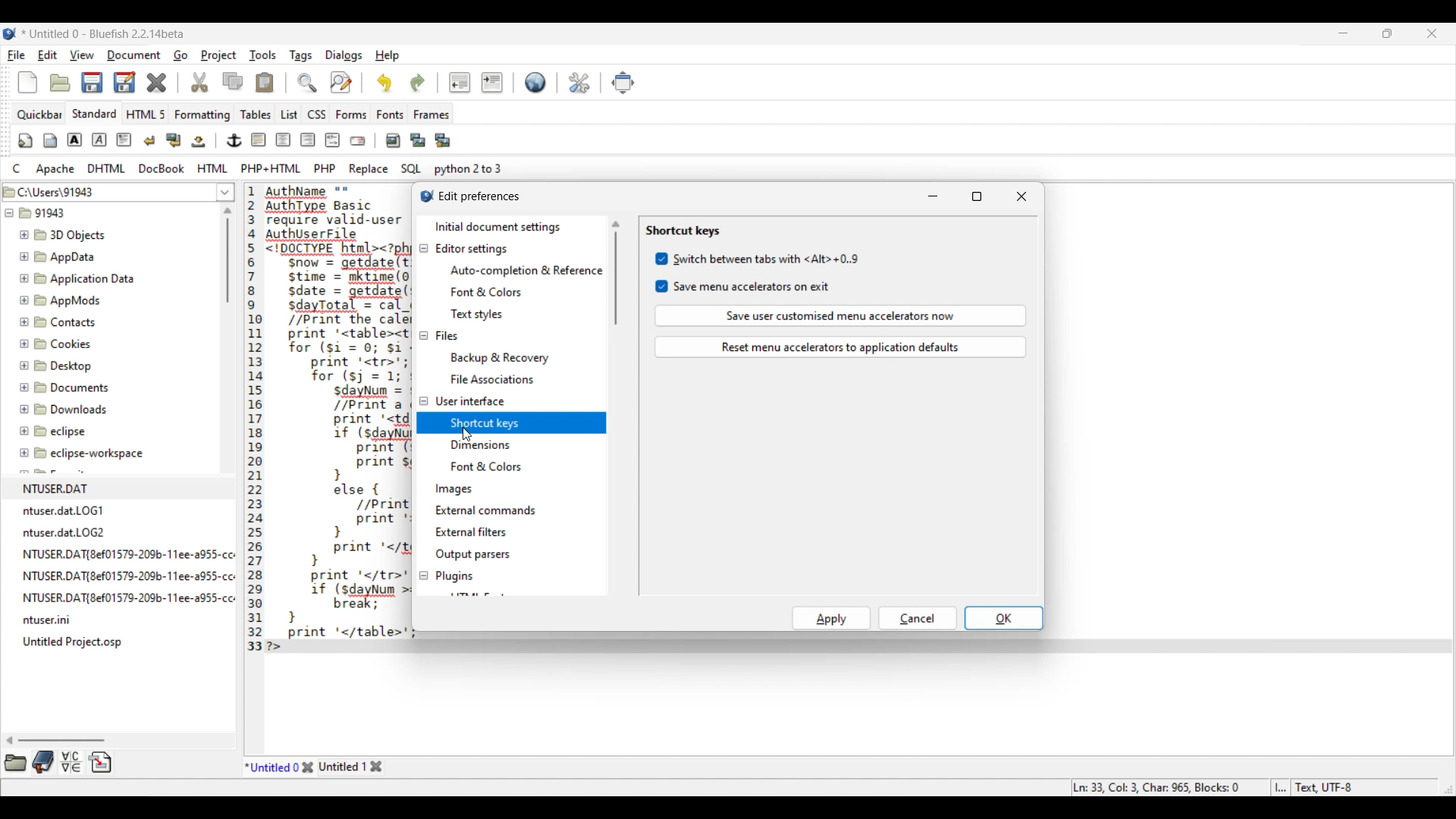 The height and width of the screenshot is (819, 1456). What do you see at coordinates (519, 455) in the screenshot?
I see `User interface setting options` at bounding box center [519, 455].